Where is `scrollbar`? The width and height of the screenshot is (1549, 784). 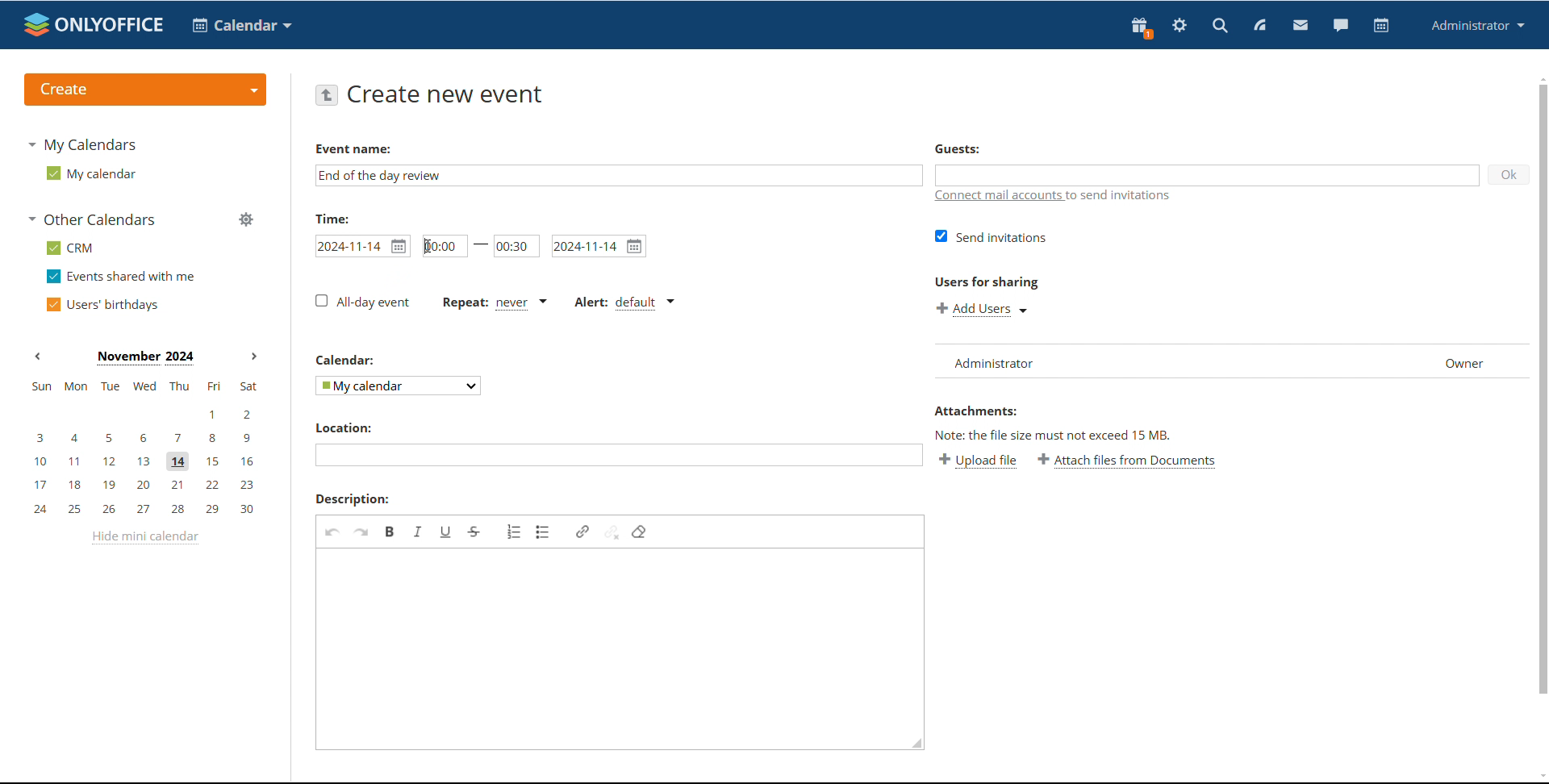 scrollbar is located at coordinates (1543, 389).